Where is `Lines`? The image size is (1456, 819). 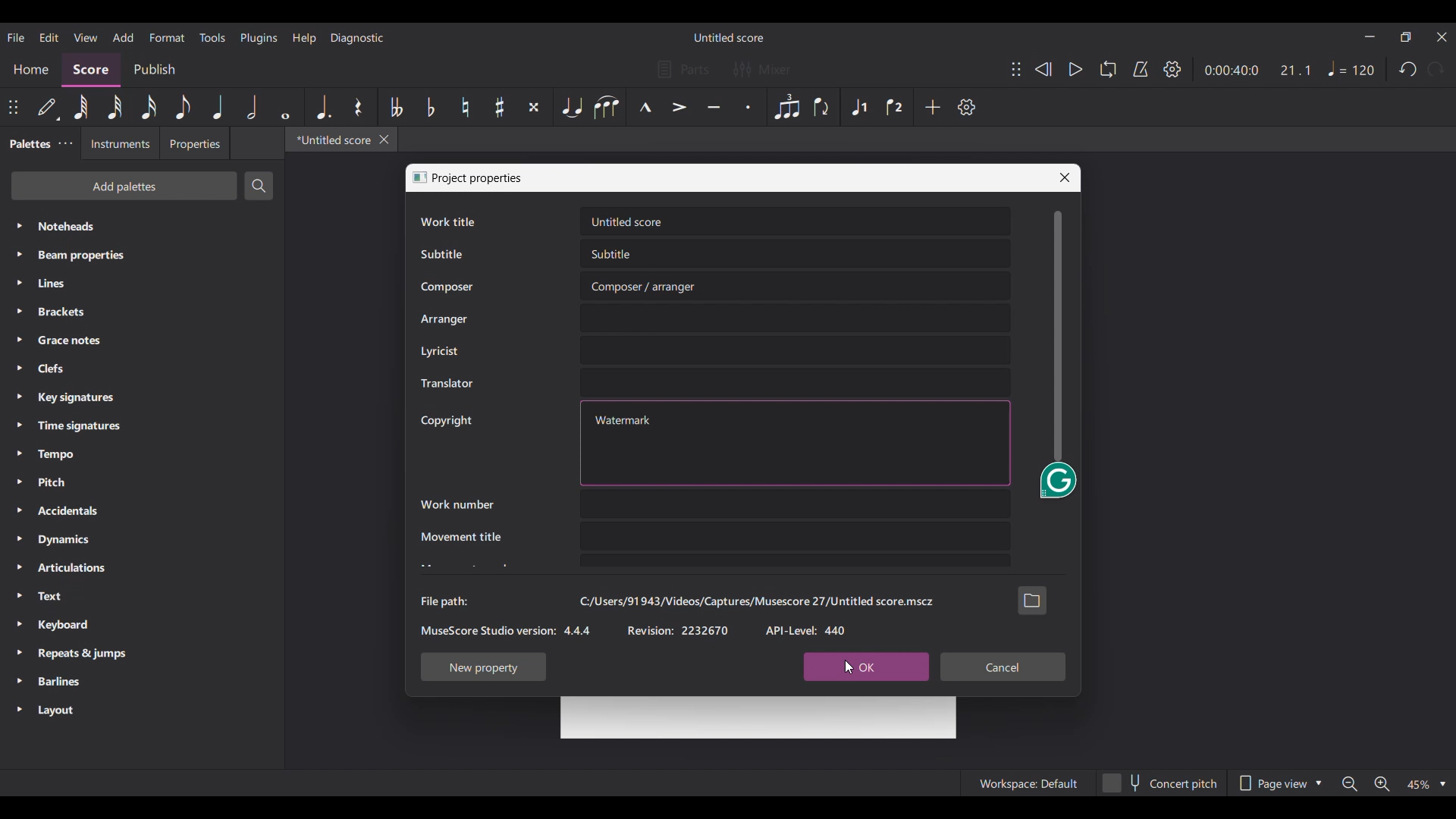
Lines is located at coordinates (142, 284).